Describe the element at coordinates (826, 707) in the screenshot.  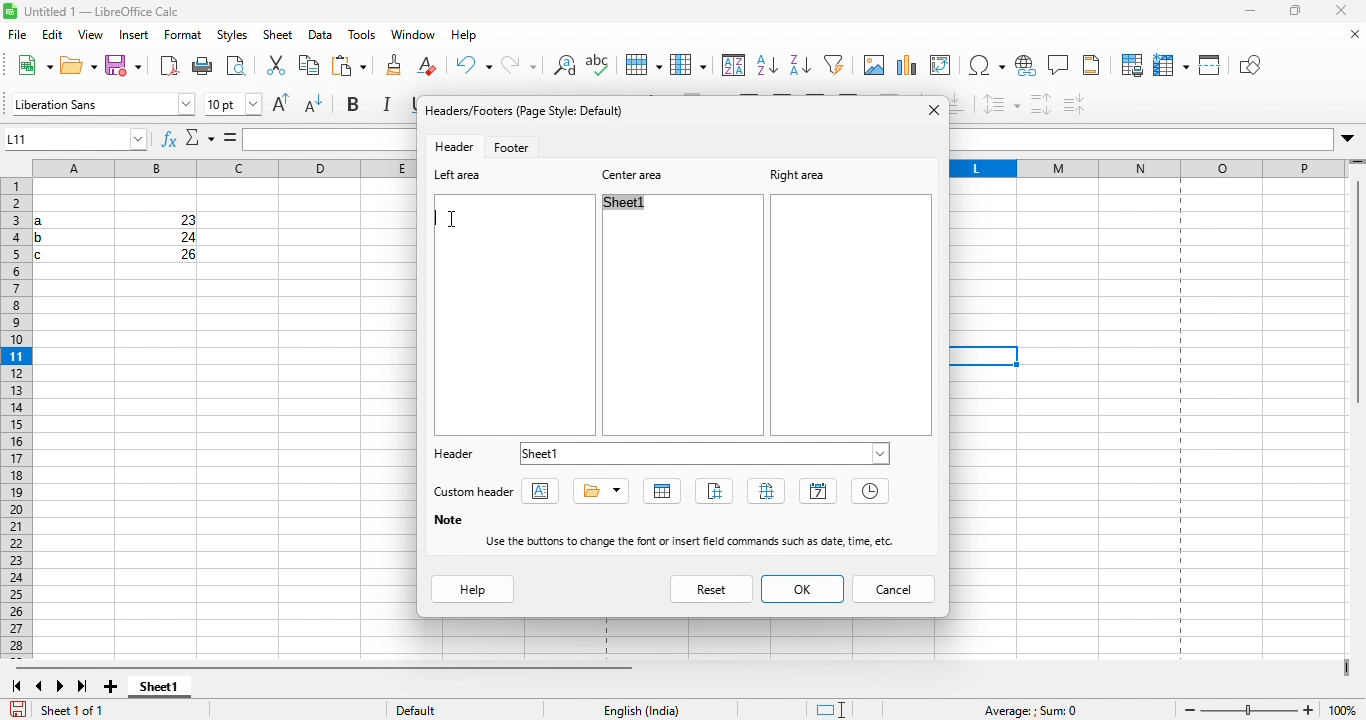
I see `standard selection` at that location.